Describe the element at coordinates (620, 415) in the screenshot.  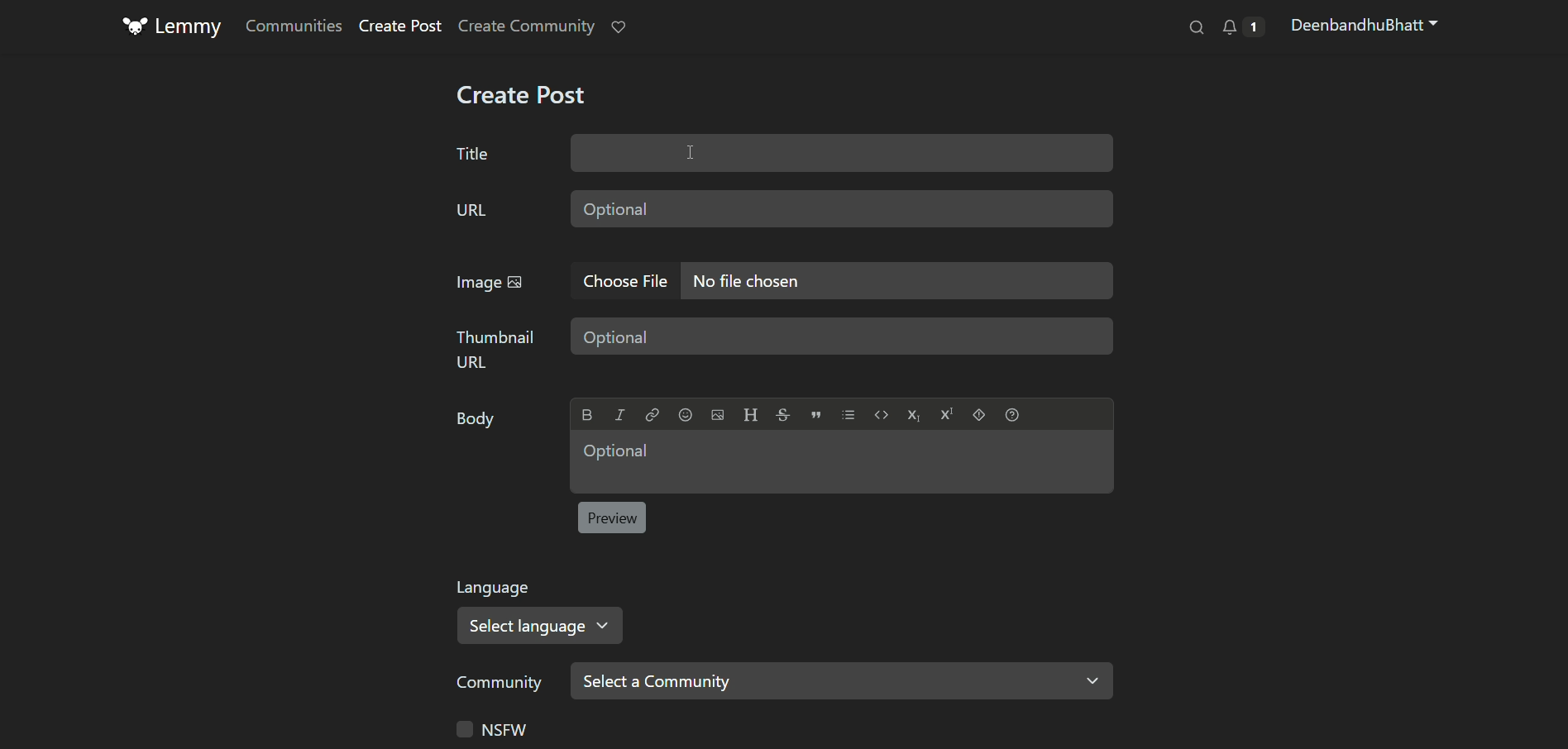
I see `Italic` at that location.